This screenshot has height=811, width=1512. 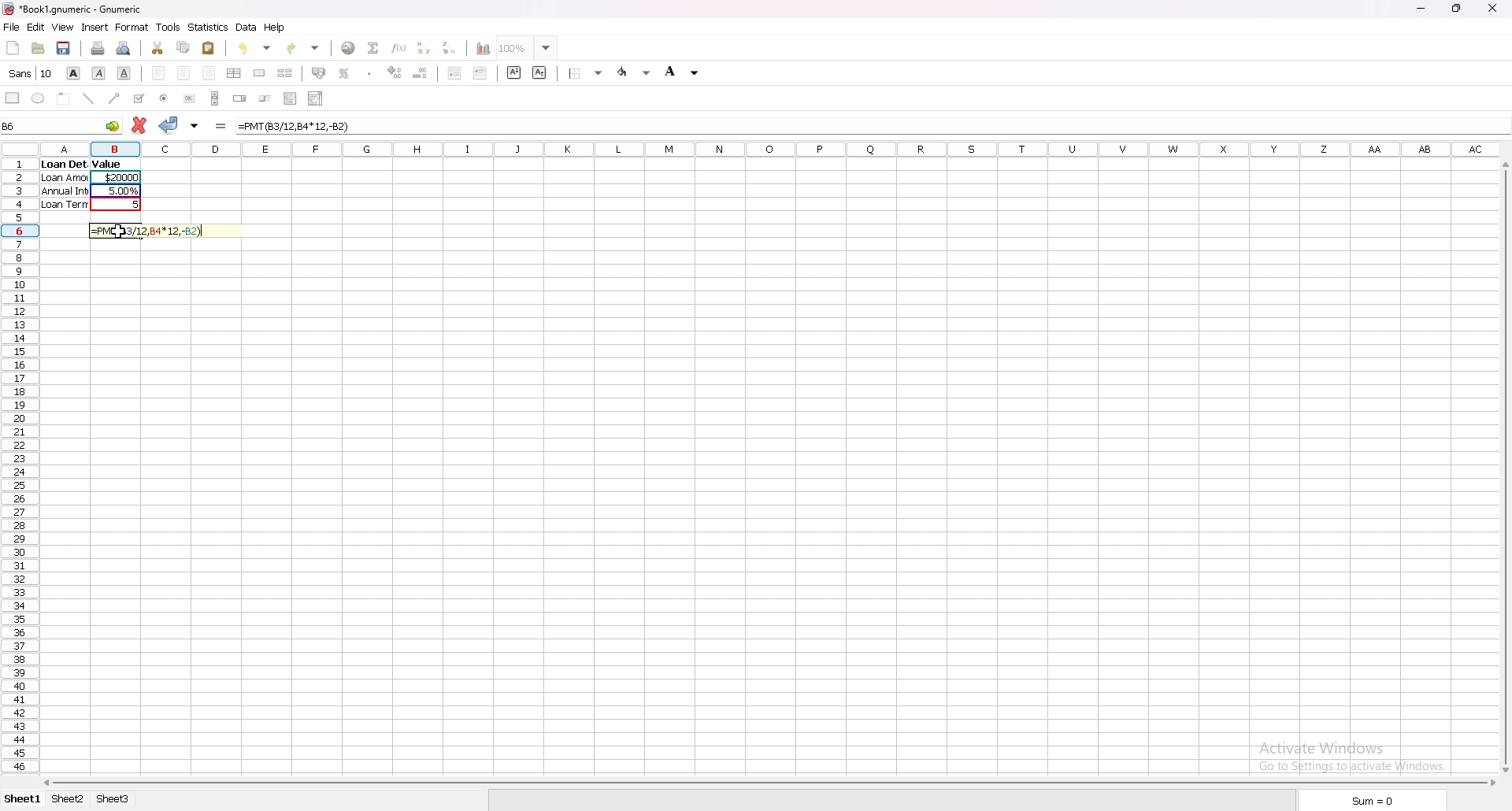 I want to click on print preview, so click(x=124, y=47).